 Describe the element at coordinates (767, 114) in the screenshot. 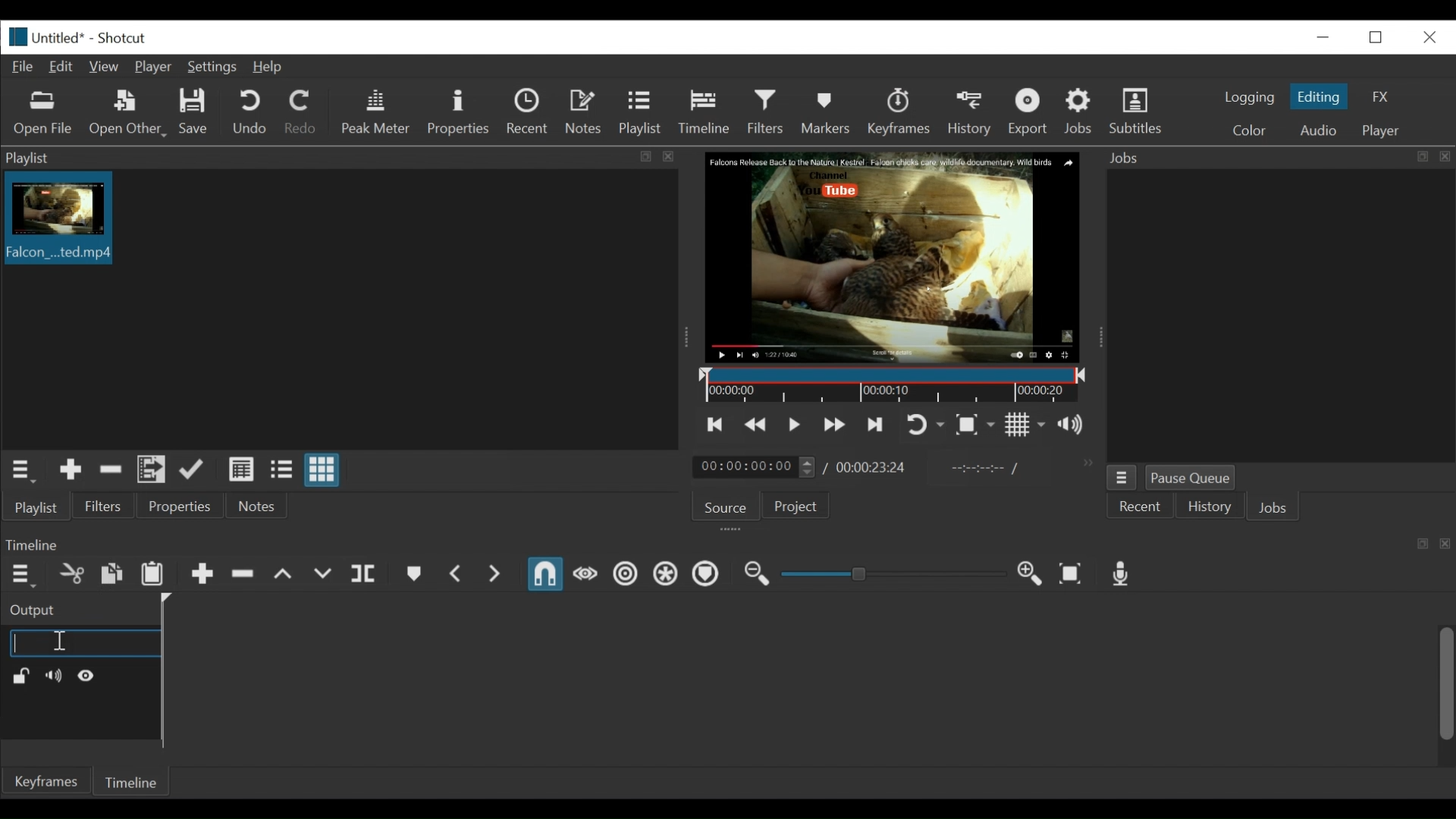

I see `Filters` at that location.